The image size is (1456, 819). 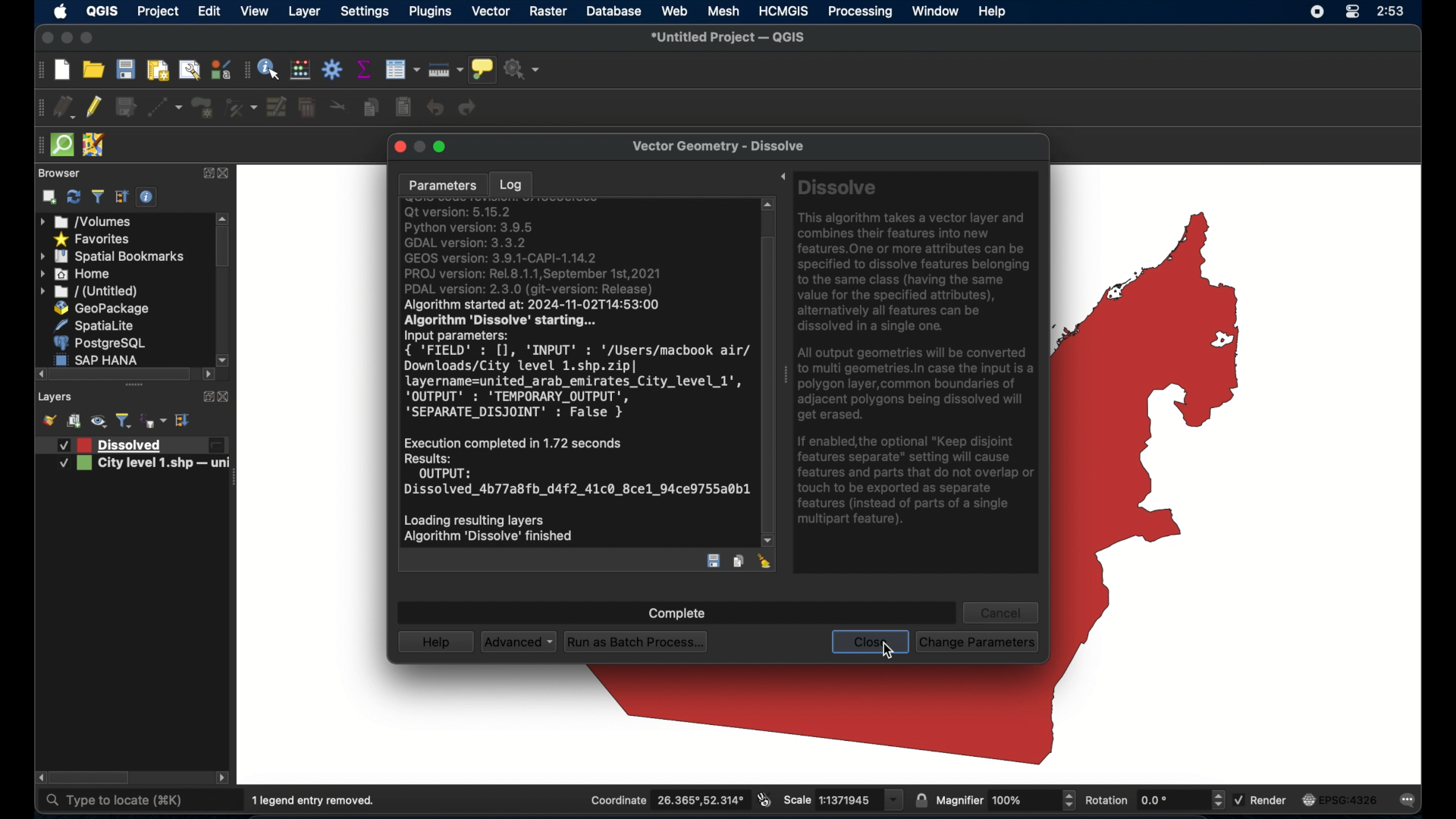 I want to click on open project, so click(x=93, y=69).